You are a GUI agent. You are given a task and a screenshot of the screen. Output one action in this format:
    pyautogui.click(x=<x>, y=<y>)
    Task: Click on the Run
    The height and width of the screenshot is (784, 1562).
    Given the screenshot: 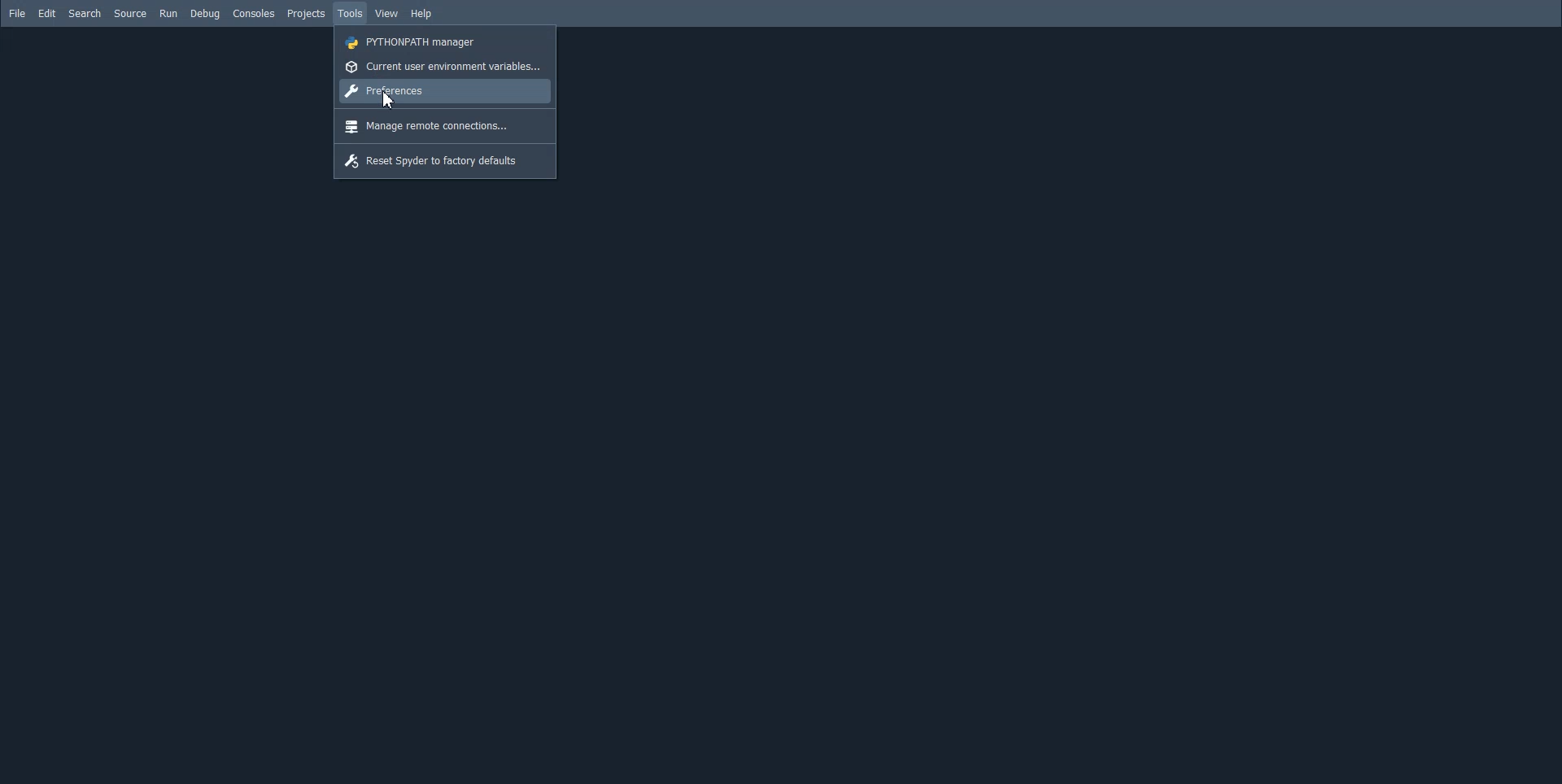 What is the action you would take?
    pyautogui.click(x=168, y=14)
    